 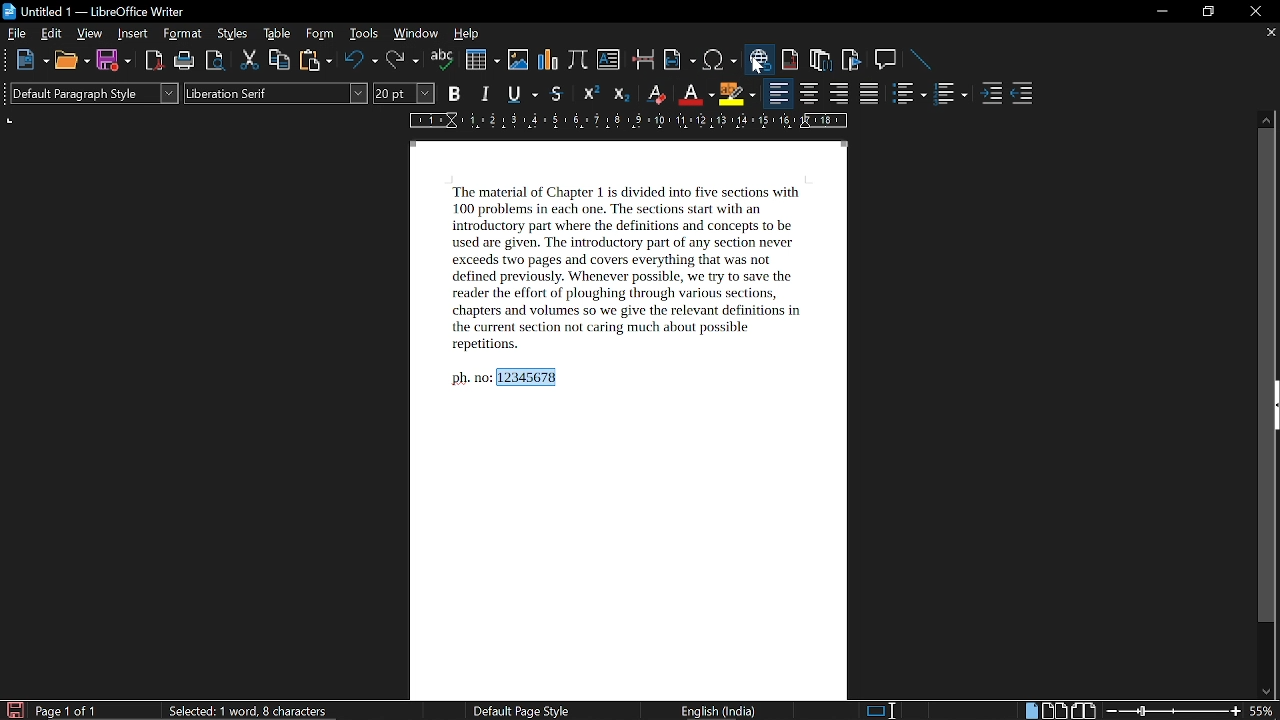 I want to click on insert bibliography, so click(x=850, y=61).